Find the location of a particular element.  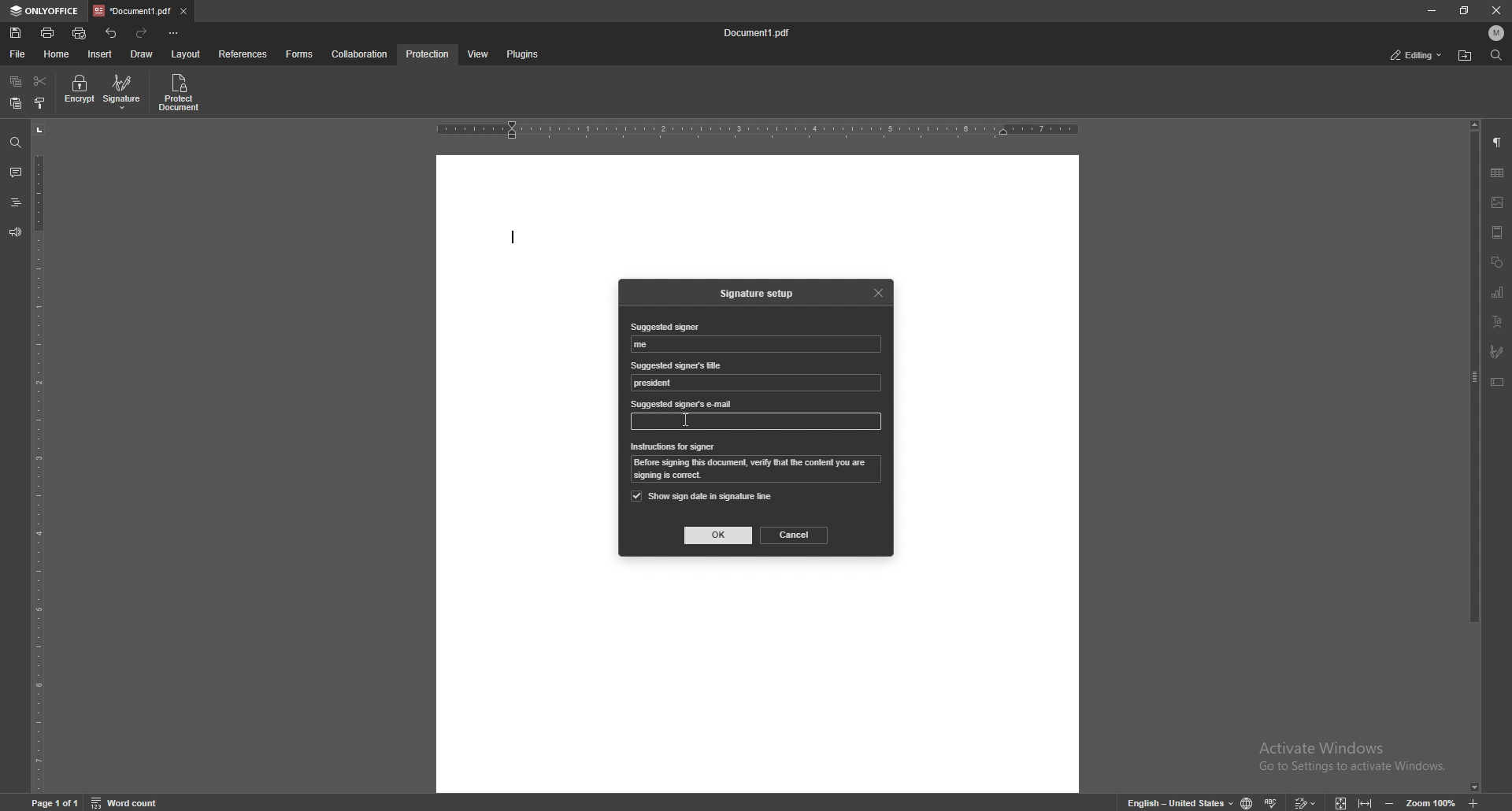

find is located at coordinates (16, 143).